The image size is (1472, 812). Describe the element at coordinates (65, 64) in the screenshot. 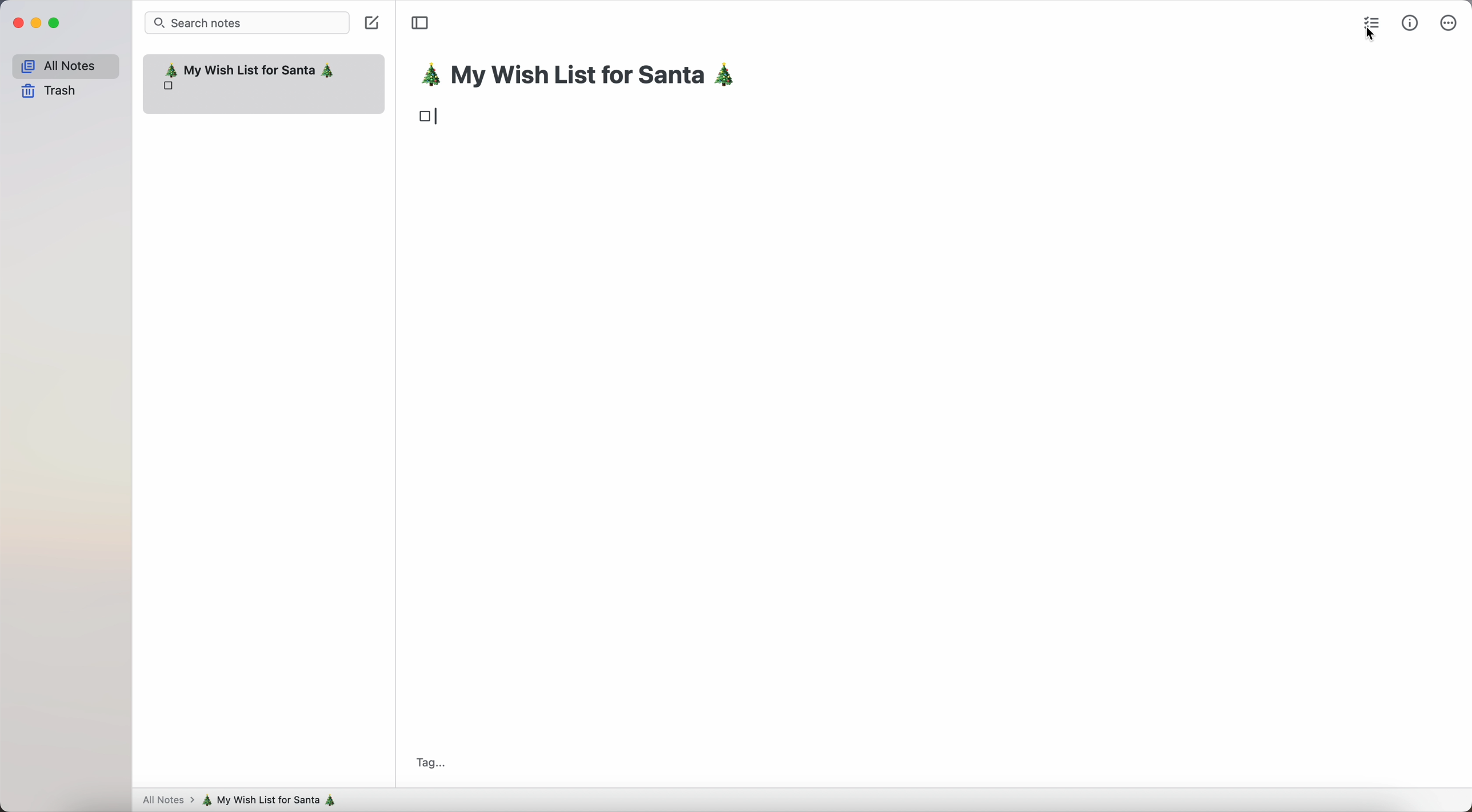

I see `all notes` at that location.